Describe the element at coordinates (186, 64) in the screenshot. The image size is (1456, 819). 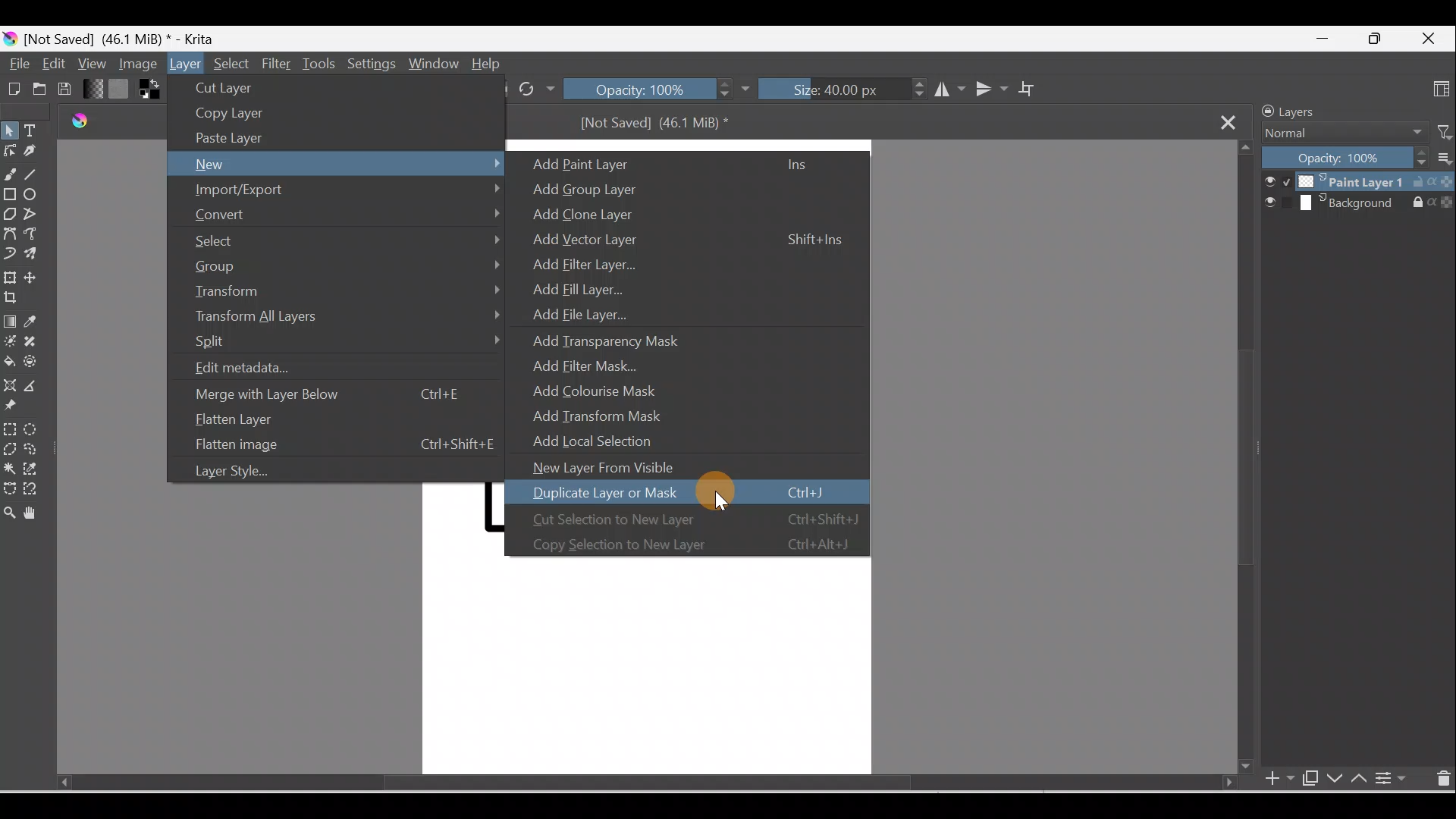
I see `Layer` at that location.